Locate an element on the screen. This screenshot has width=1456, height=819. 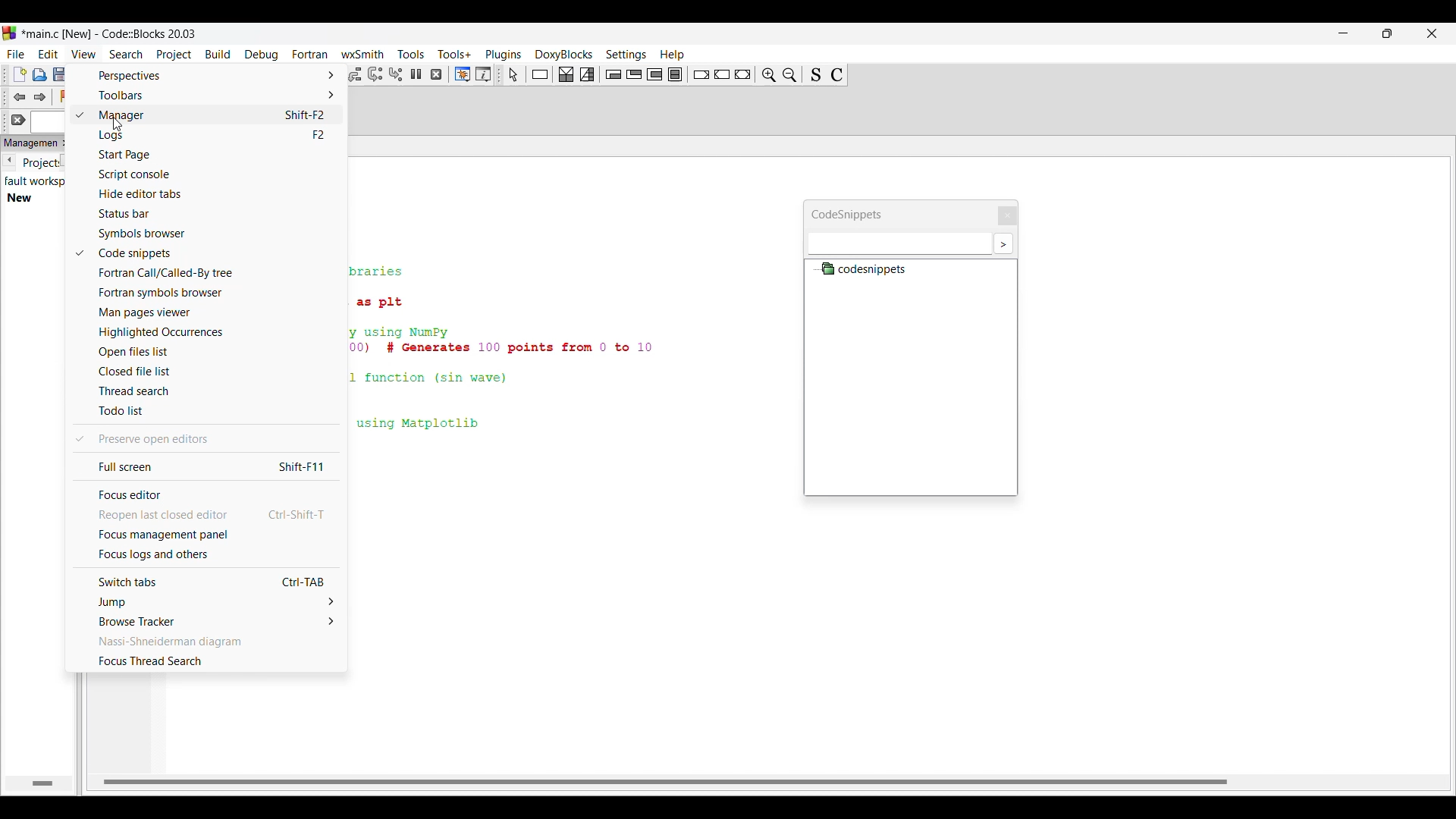
Manager is located at coordinates (216, 115).